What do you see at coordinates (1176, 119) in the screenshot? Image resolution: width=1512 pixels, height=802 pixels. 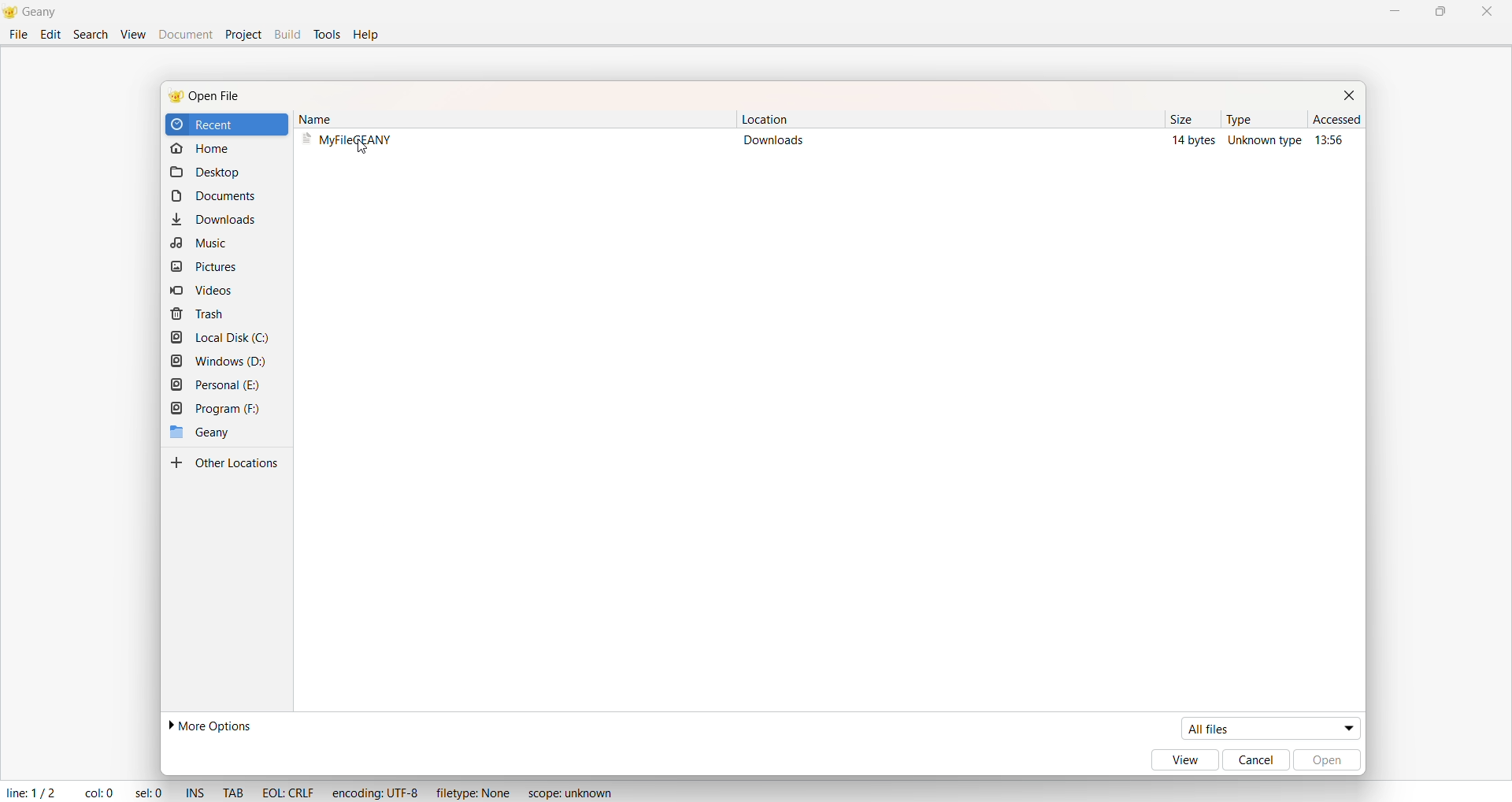 I see `size` at bounding box center [1176, 119].